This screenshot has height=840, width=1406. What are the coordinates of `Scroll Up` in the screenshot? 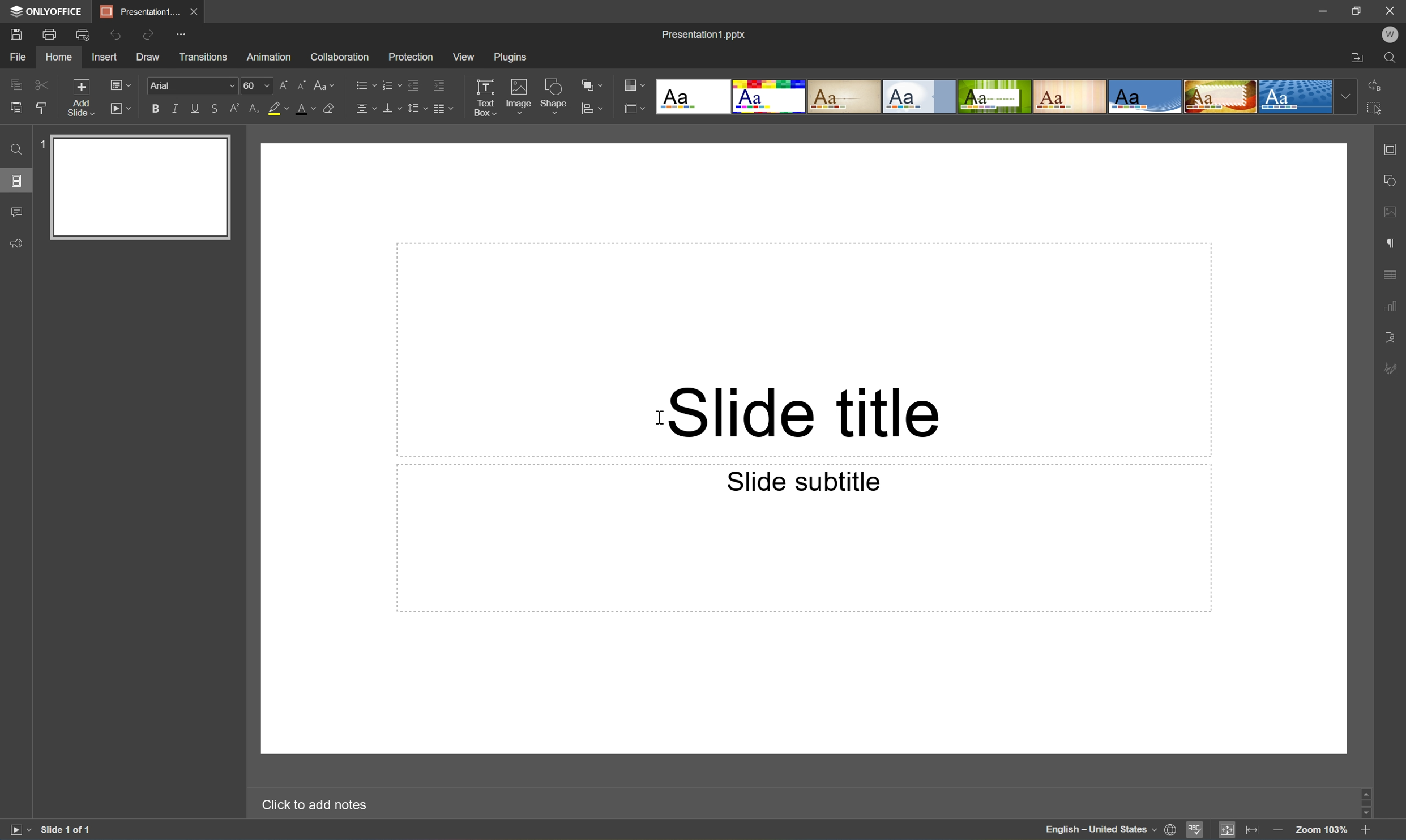 It's located at (1363, 790).